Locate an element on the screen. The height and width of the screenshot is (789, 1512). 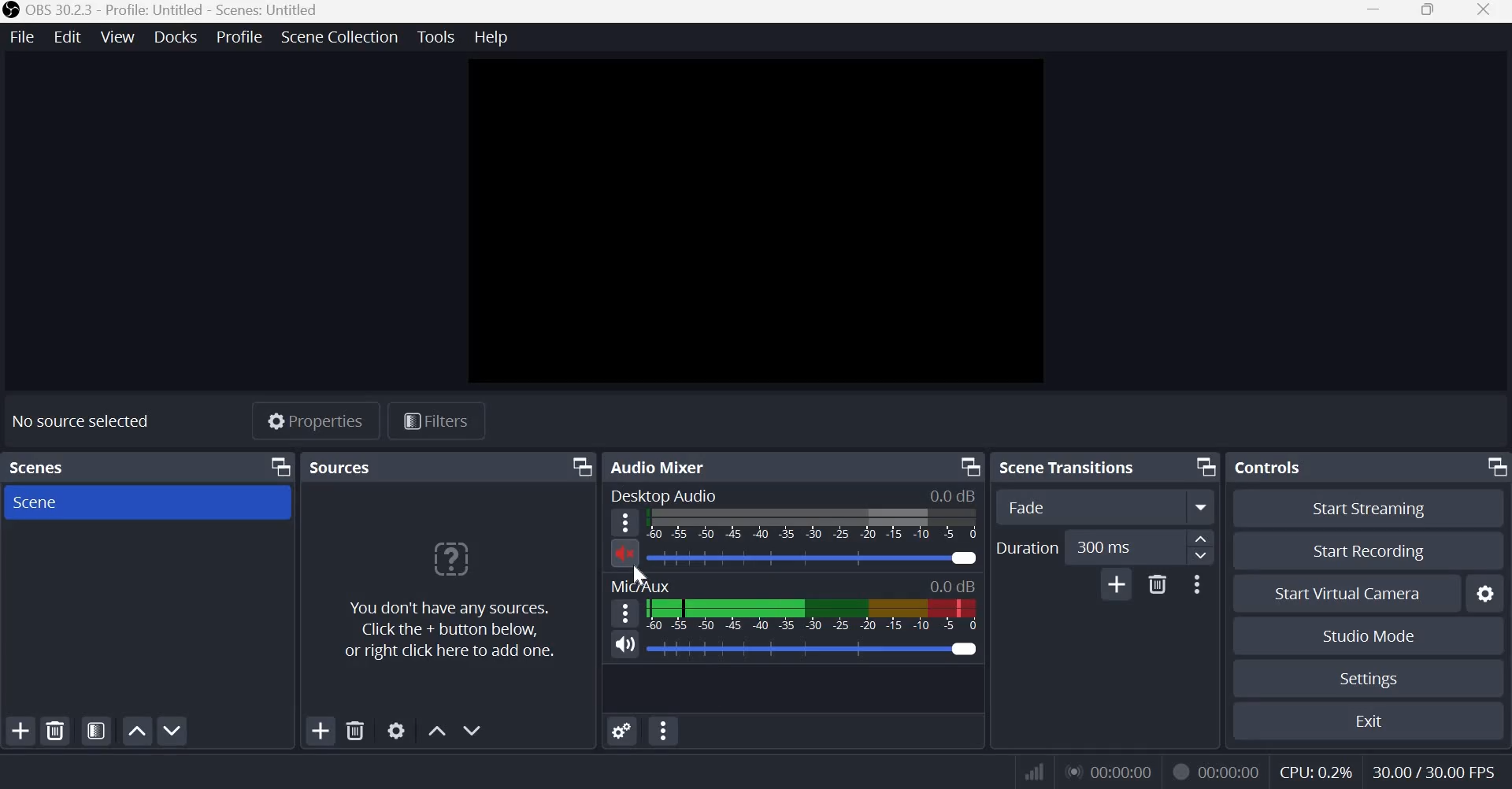
Controls is located at coordinates (1268, 467).